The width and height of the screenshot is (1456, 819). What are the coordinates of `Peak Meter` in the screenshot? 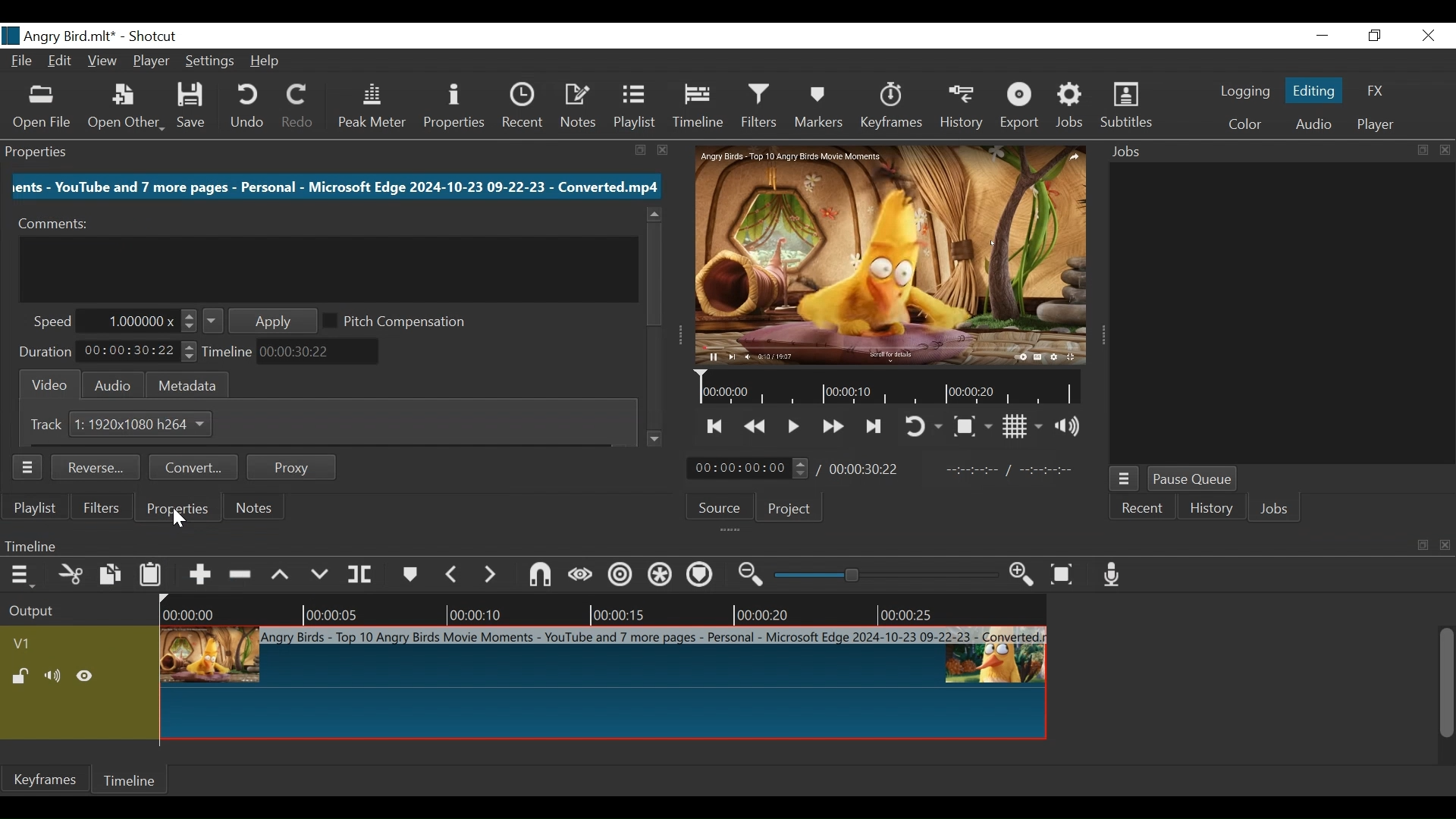 It's located at (370, 110).